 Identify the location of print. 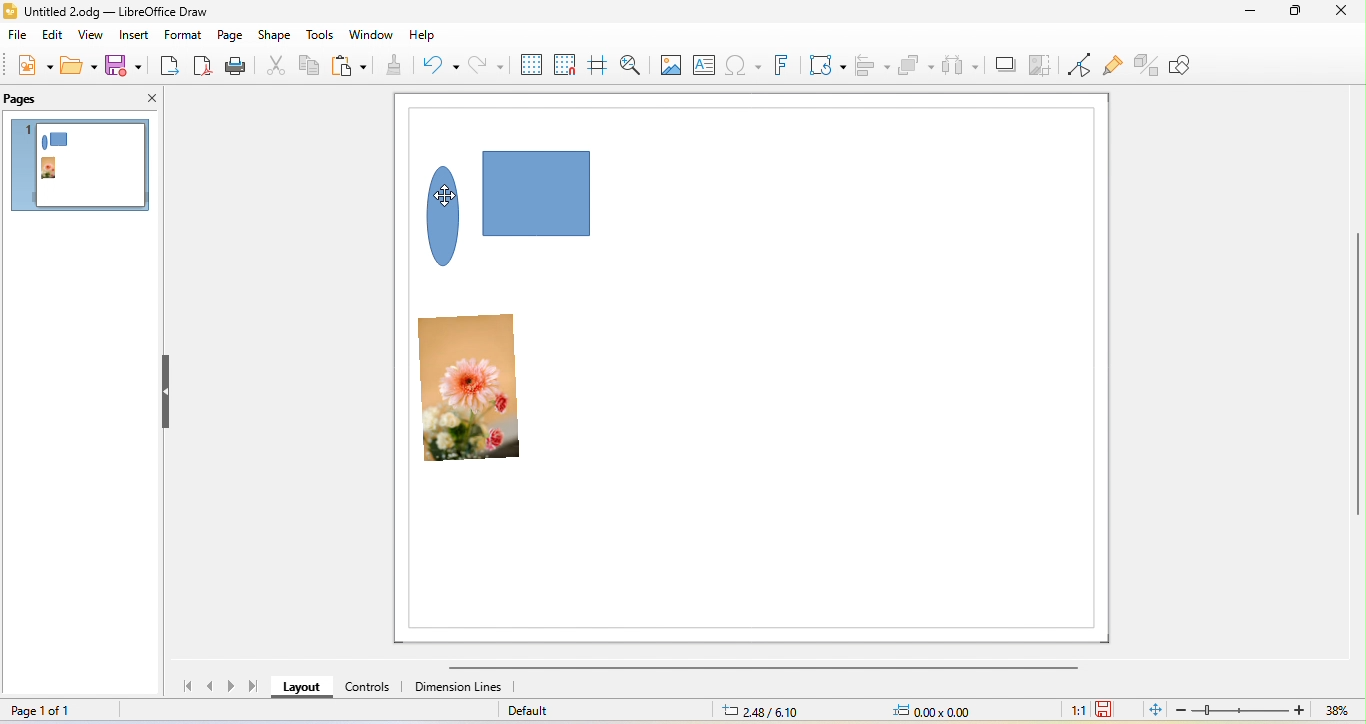
(240, 66).